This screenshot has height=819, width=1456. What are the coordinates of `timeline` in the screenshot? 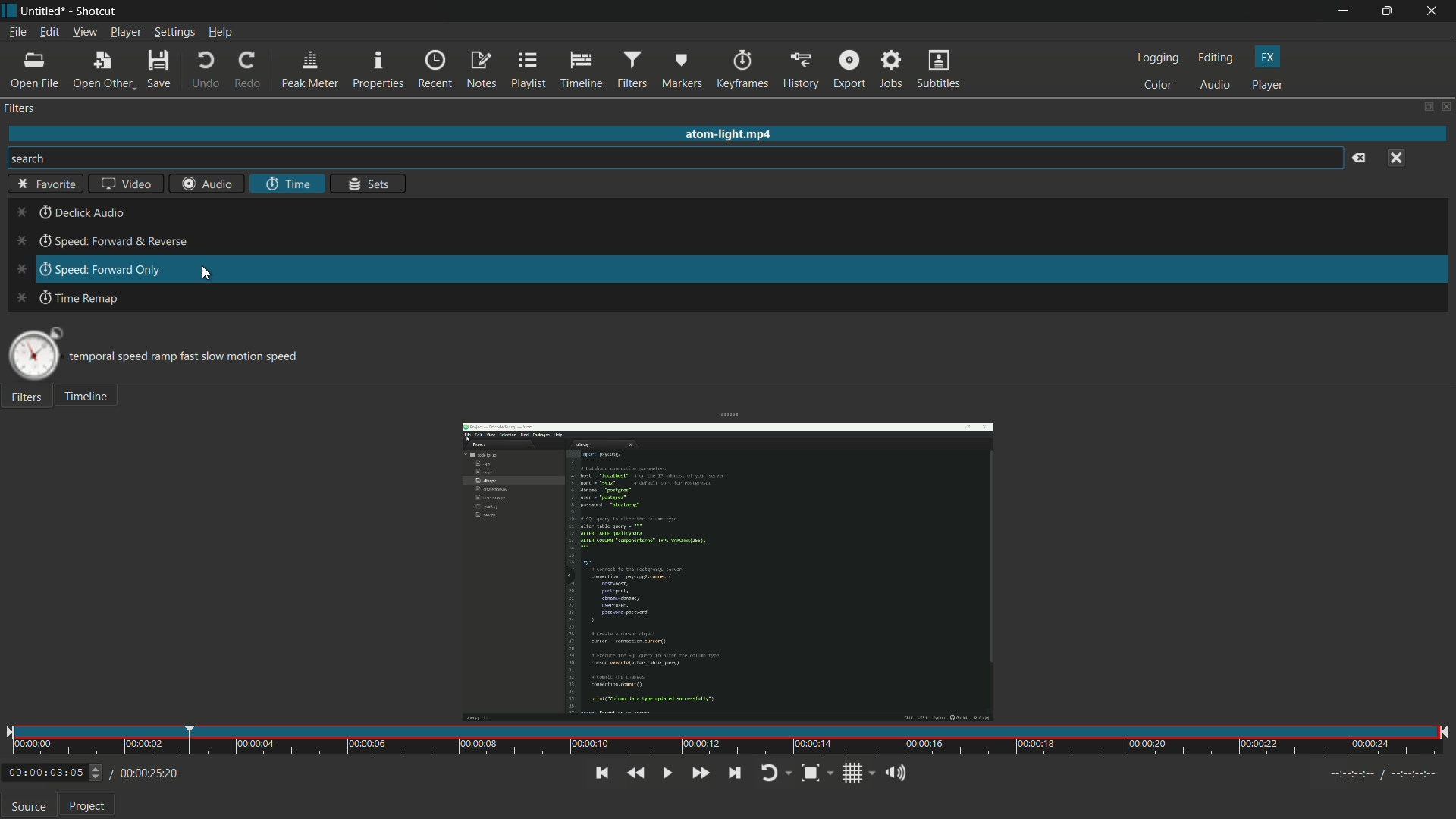 It's located at (581, 71).